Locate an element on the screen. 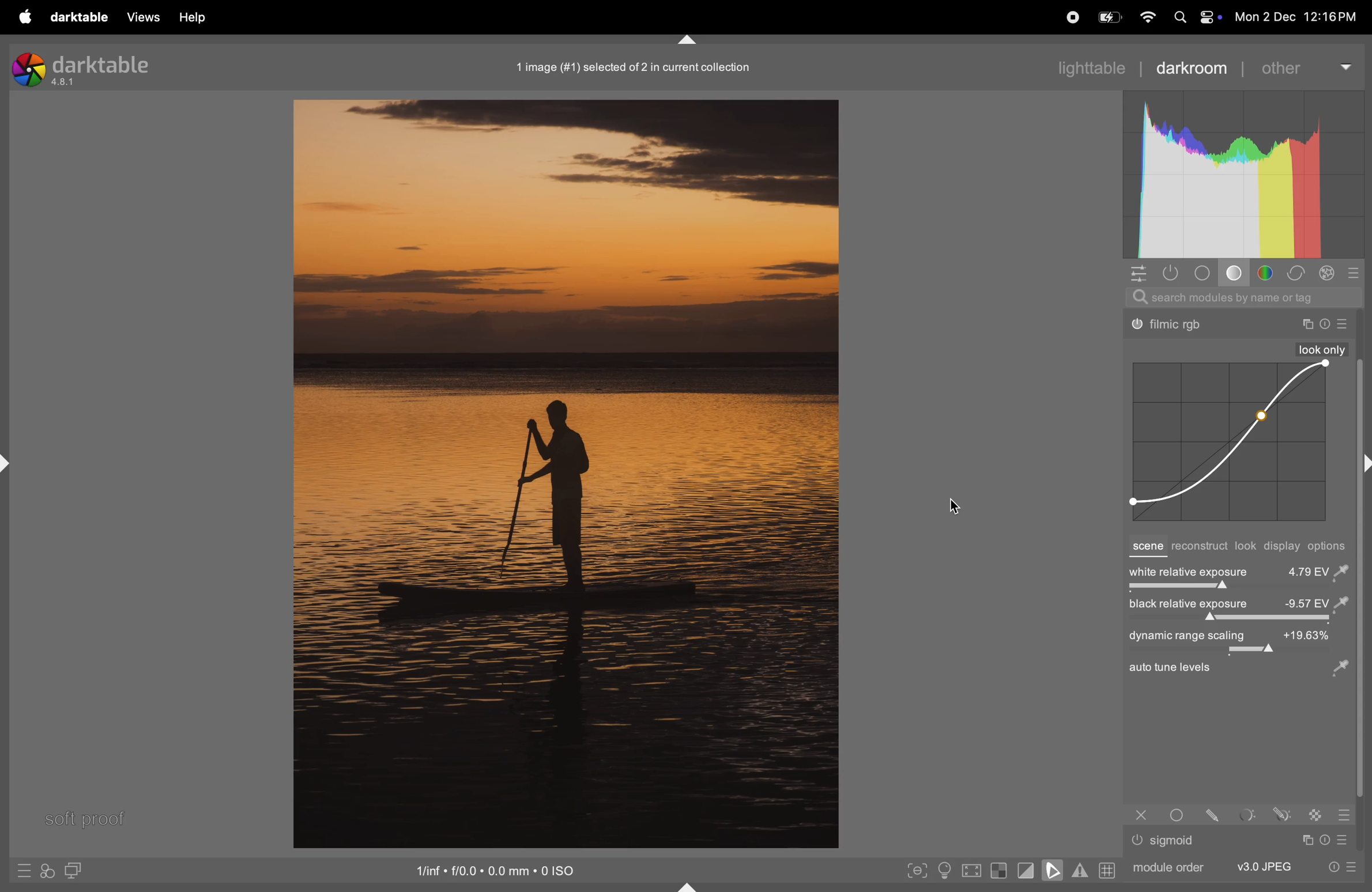 This screenshot has width=1372, height=892.  is located at coordinates (1347, 840).